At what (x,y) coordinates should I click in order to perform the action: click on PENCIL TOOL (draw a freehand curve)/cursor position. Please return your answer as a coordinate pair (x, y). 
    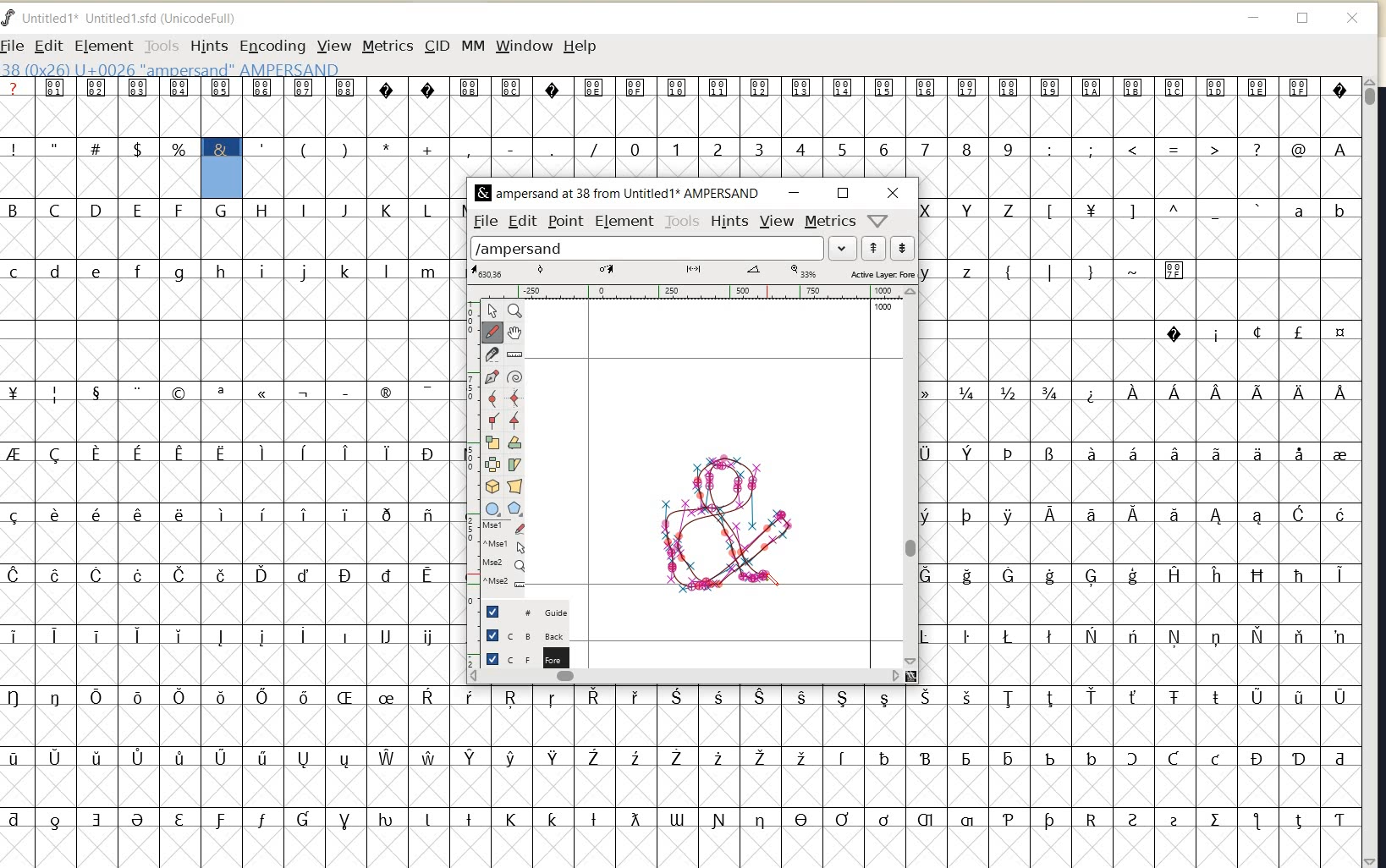
    Looking at the image, I should click on (775, 581).